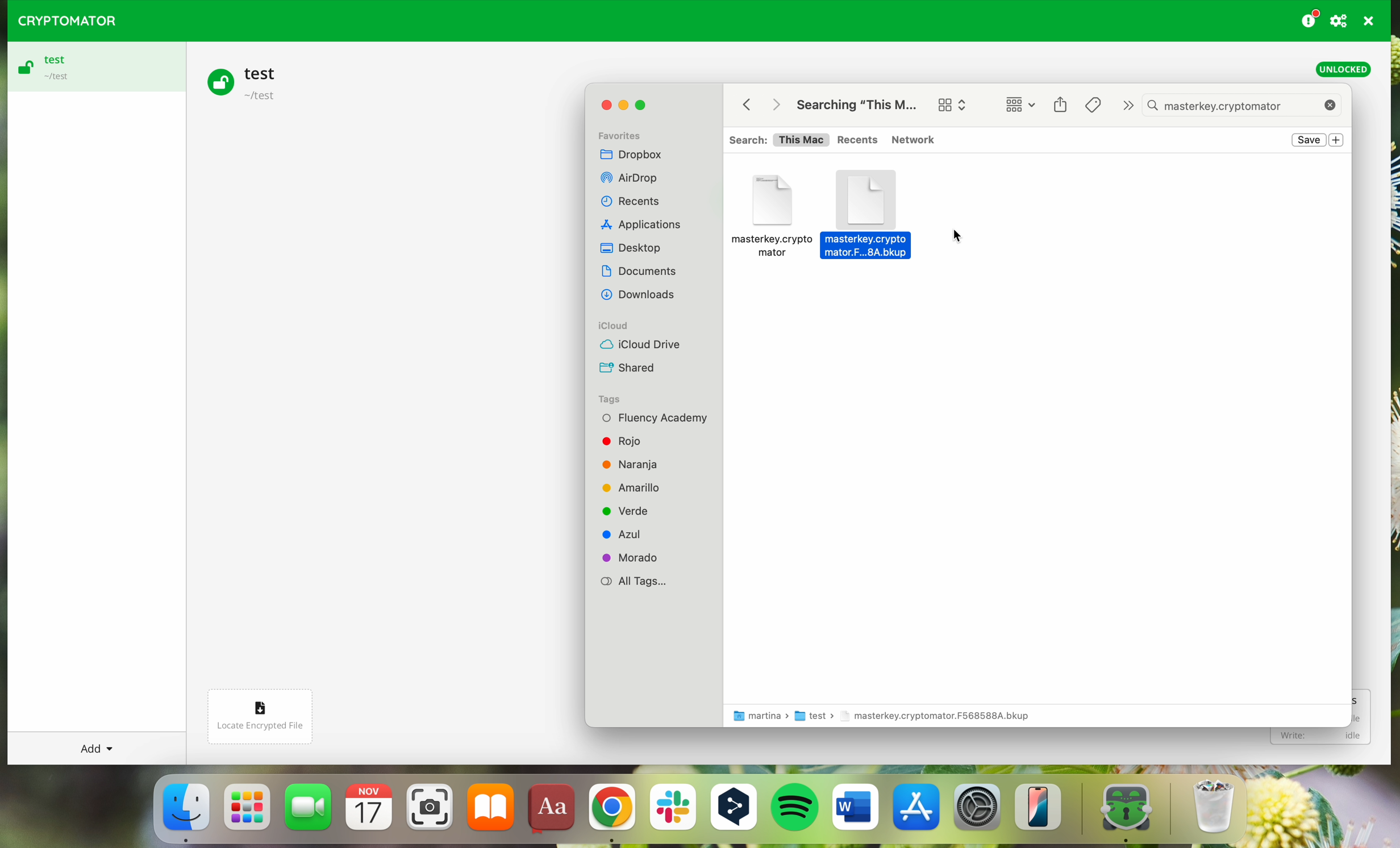 The image size is (1400, 848). What do you see at coordinates (951, 102) in the screenshot?
I see `change item grouping` at bounding box center [951, 102].